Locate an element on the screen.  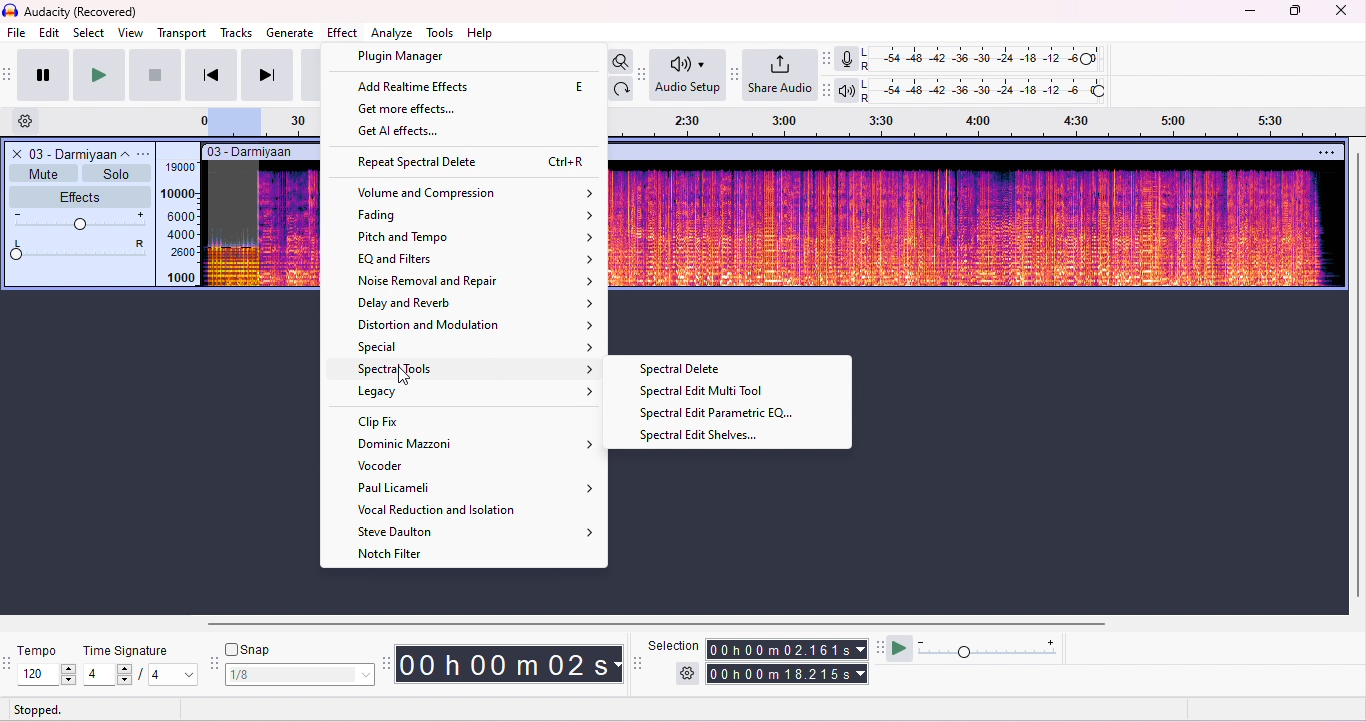
playback speed is located at coordinates (988, 648).